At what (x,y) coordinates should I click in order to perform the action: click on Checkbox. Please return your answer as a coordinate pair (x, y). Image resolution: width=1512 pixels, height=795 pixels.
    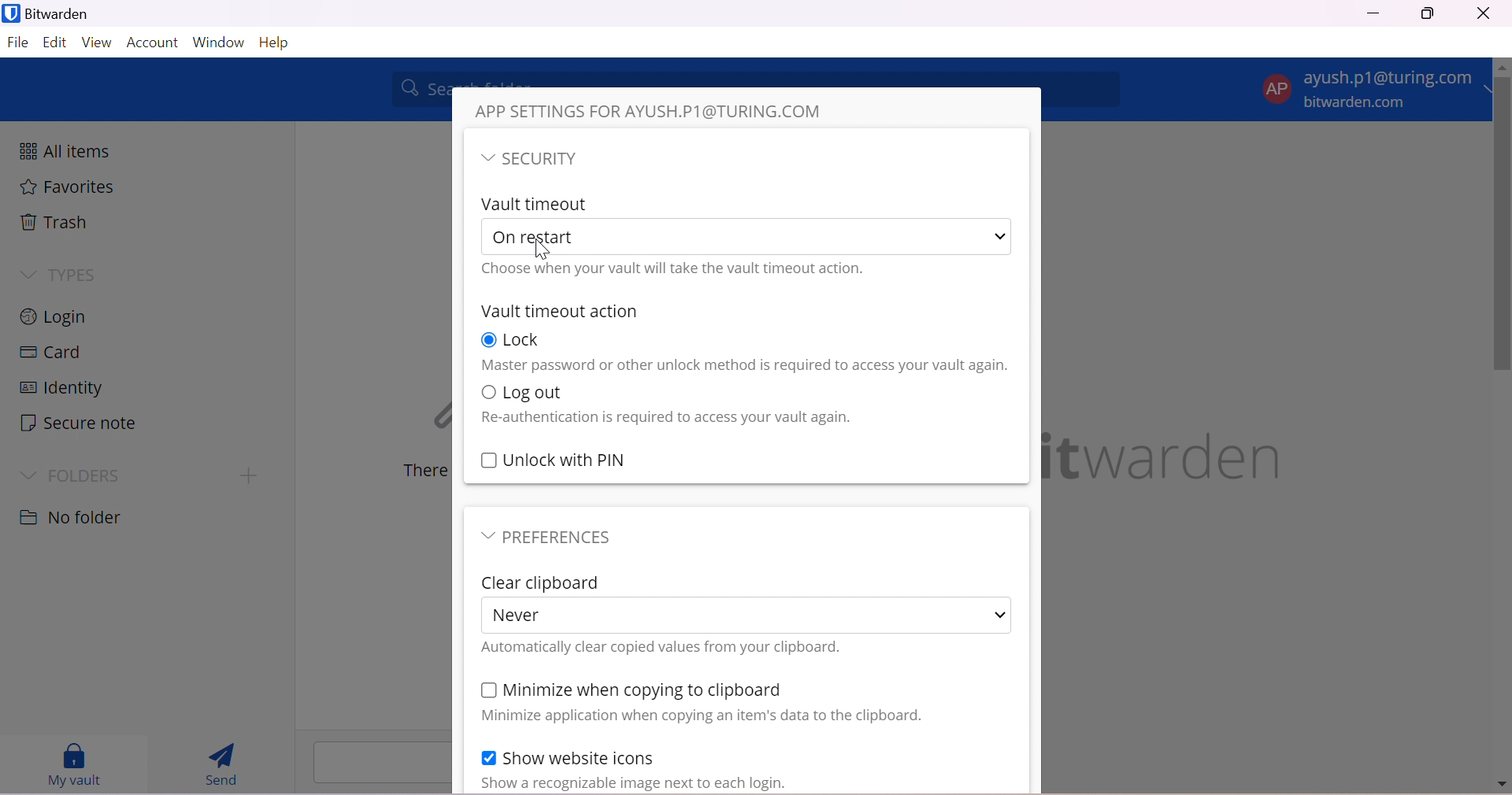
    Looking at the image, I should click on (487, 394).